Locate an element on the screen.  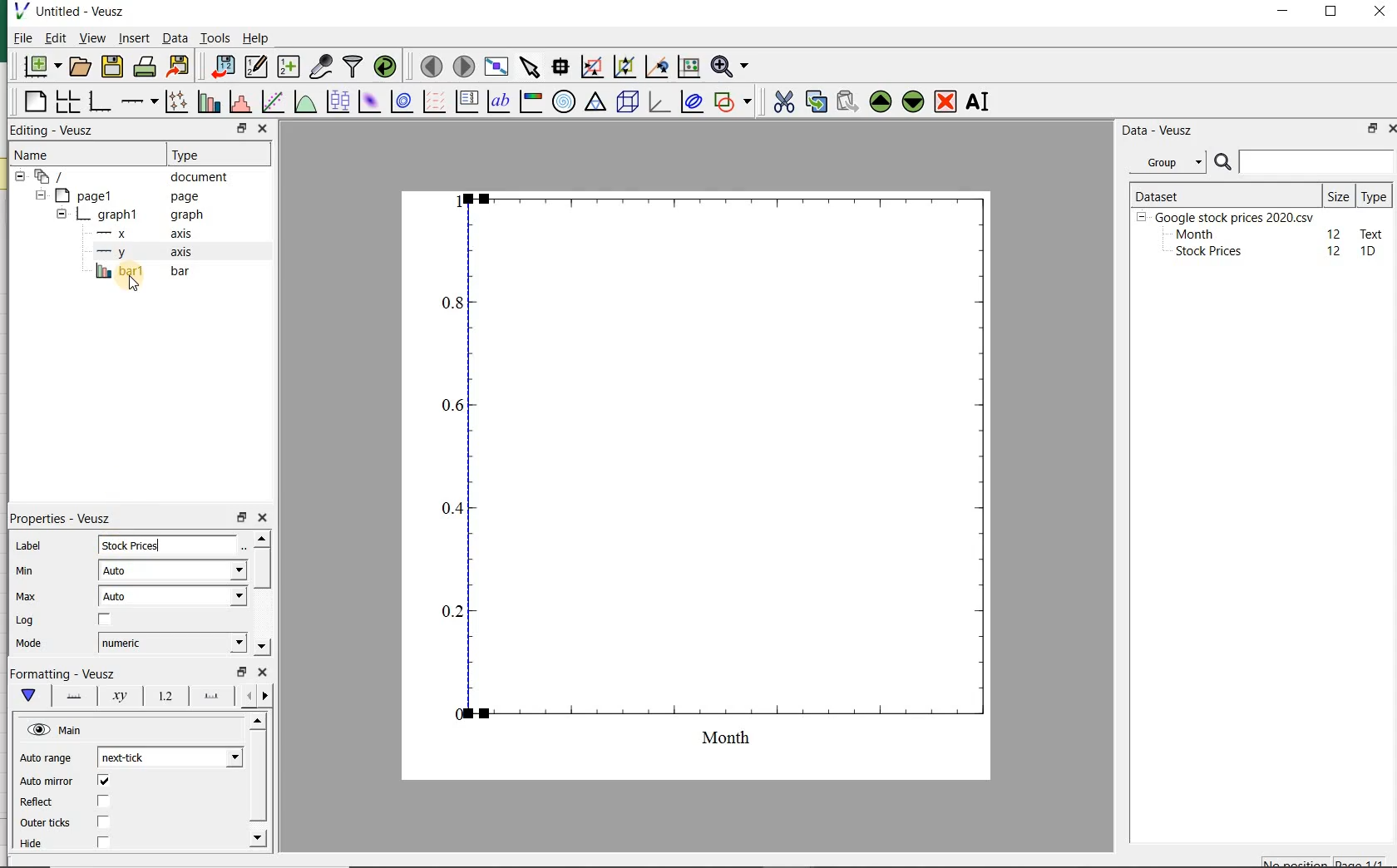
graph is located at coordinates (708, 481).